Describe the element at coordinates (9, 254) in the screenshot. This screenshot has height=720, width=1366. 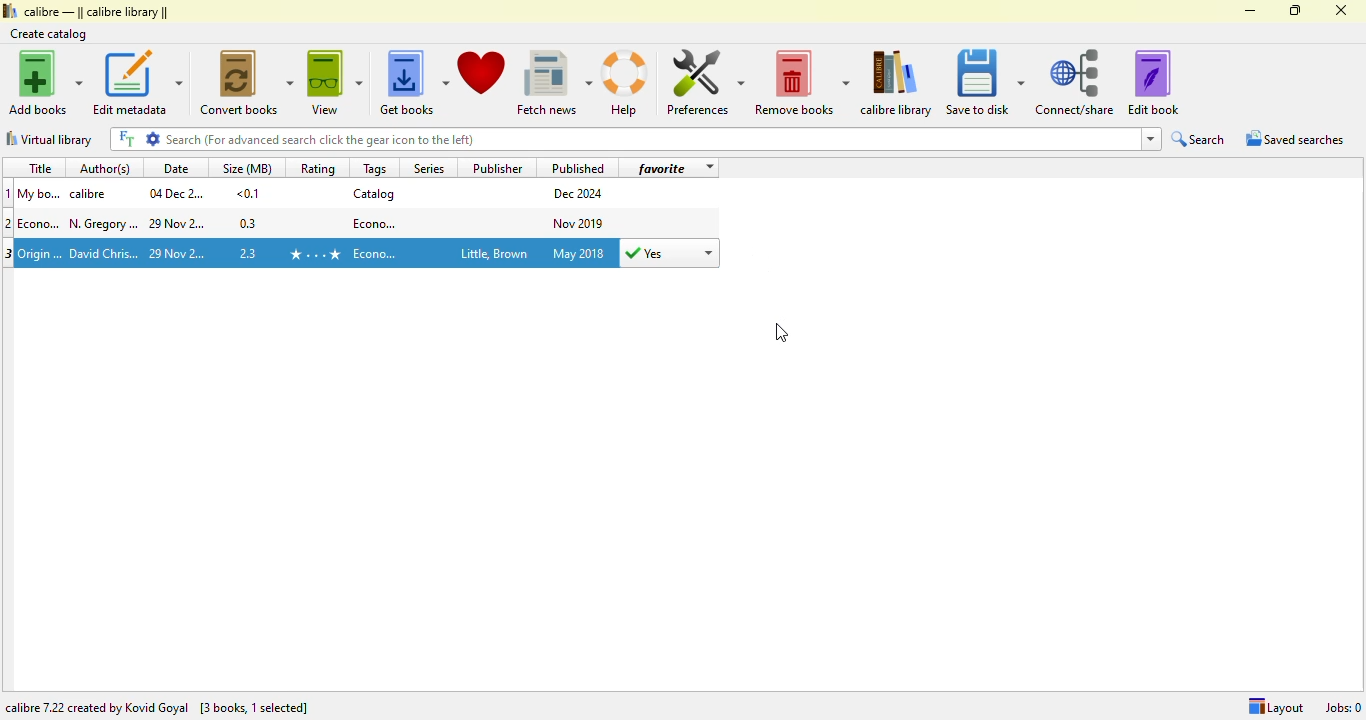
I see `3` at that location.